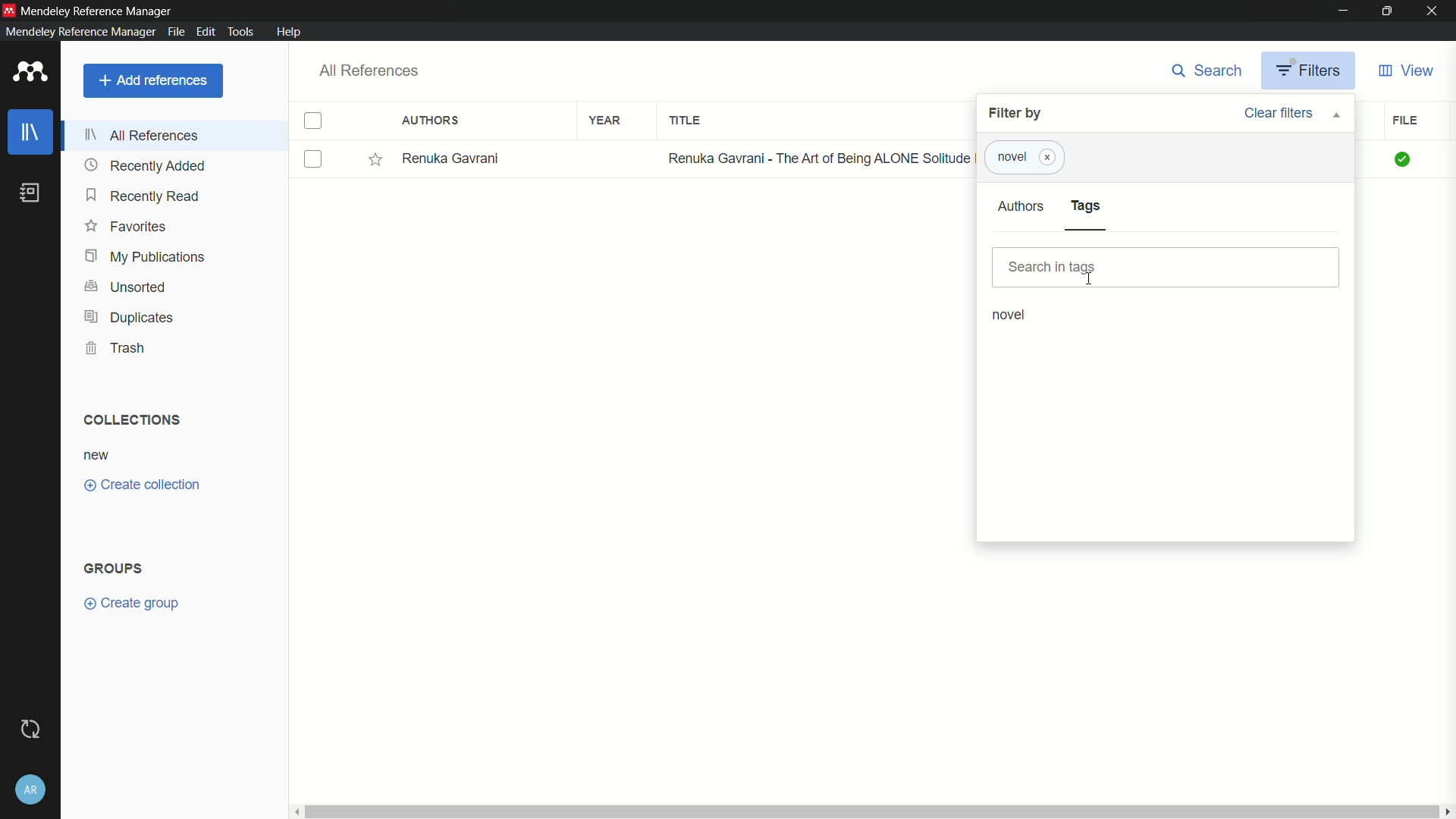  What do you see at coordinates (147, 167) in the screenshot?
I see `recently added` at bounding box center [147, 167].